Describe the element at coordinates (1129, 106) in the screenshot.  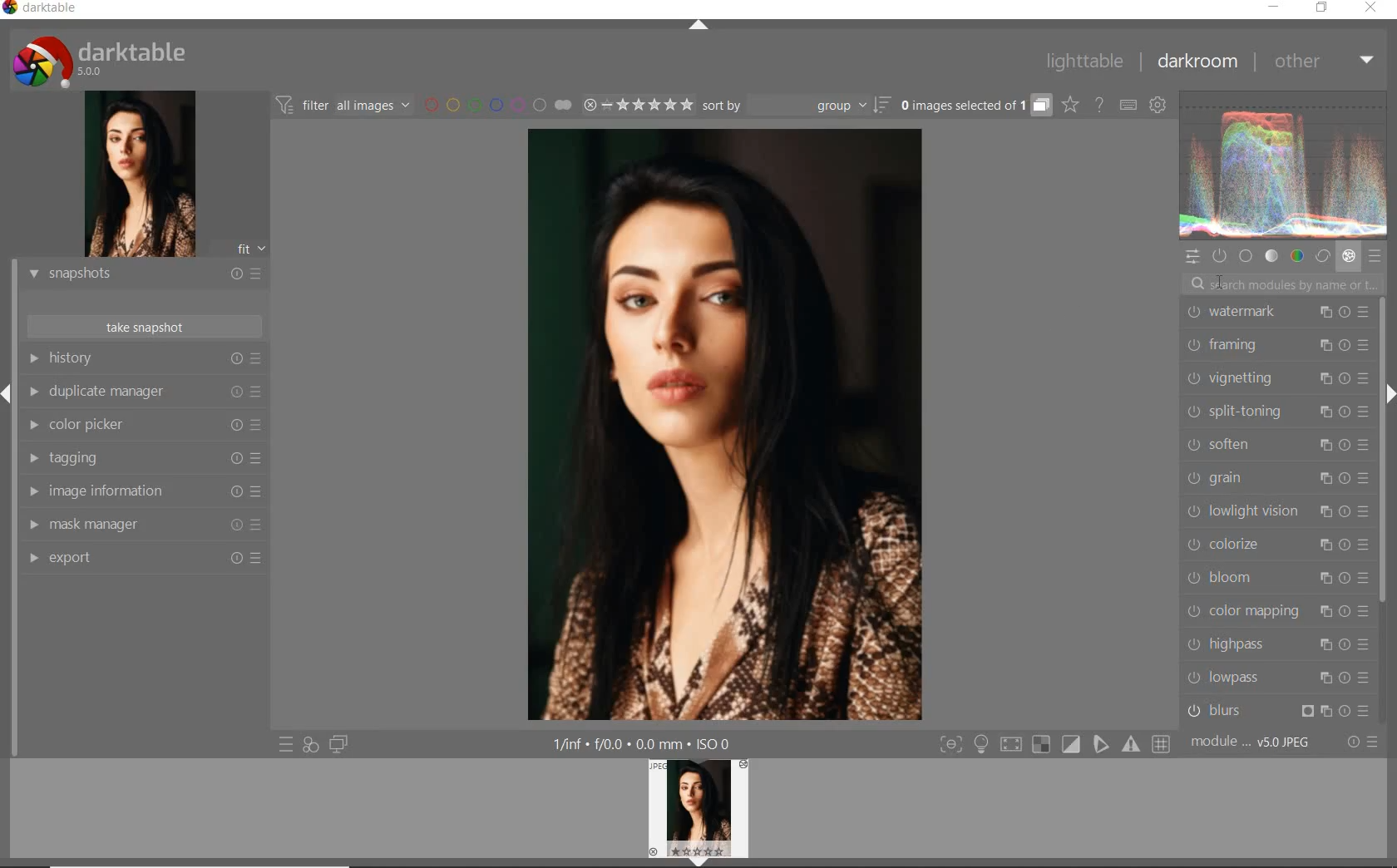
I see `set keyboard shortcuts` at that location.